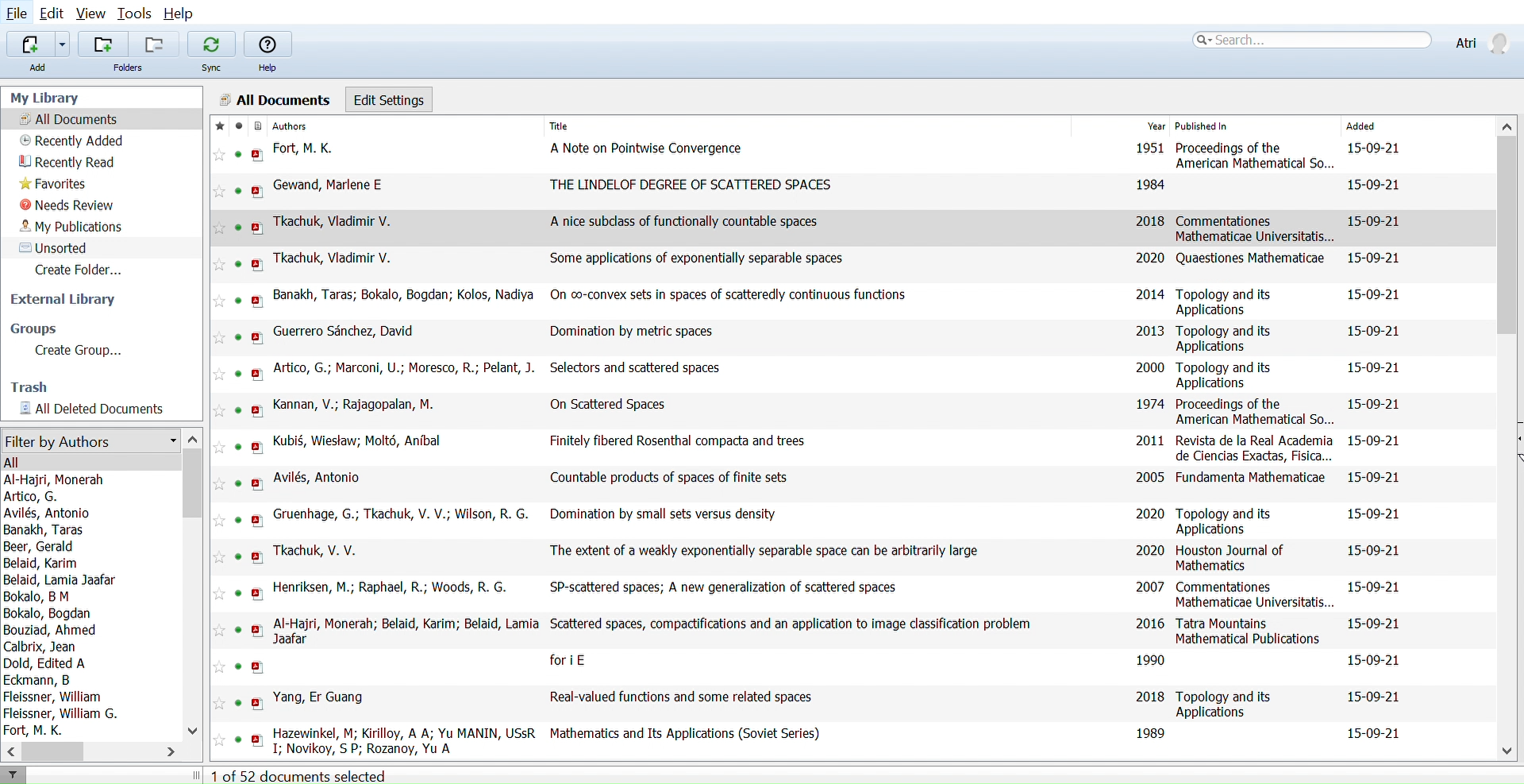 This screenshot has width=1524, height=784. Describe the element at coordinates (219, 375) in the screenshot. I see `Add this reference to favorites` at that location.